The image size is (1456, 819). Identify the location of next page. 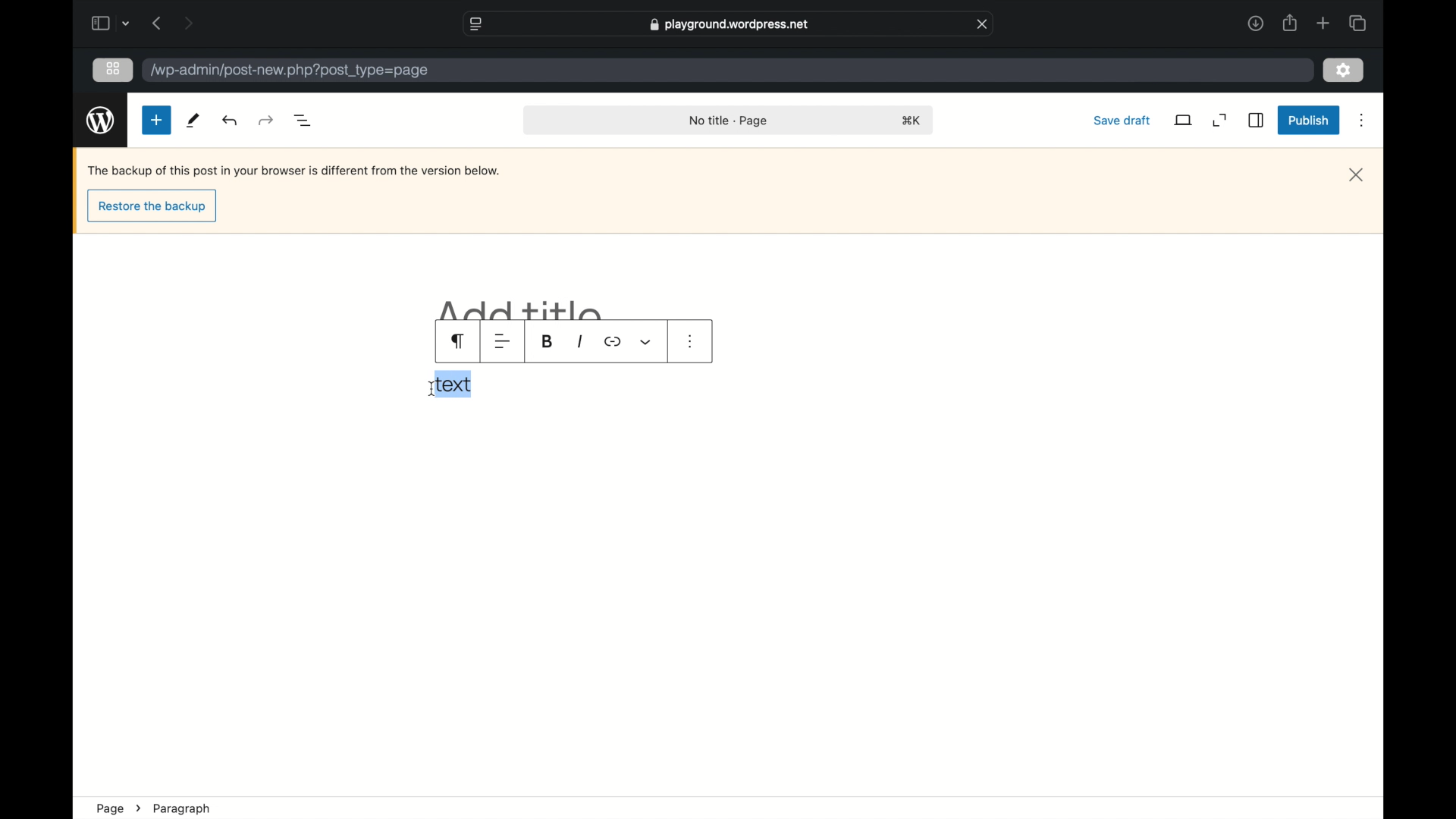
(188, 23).